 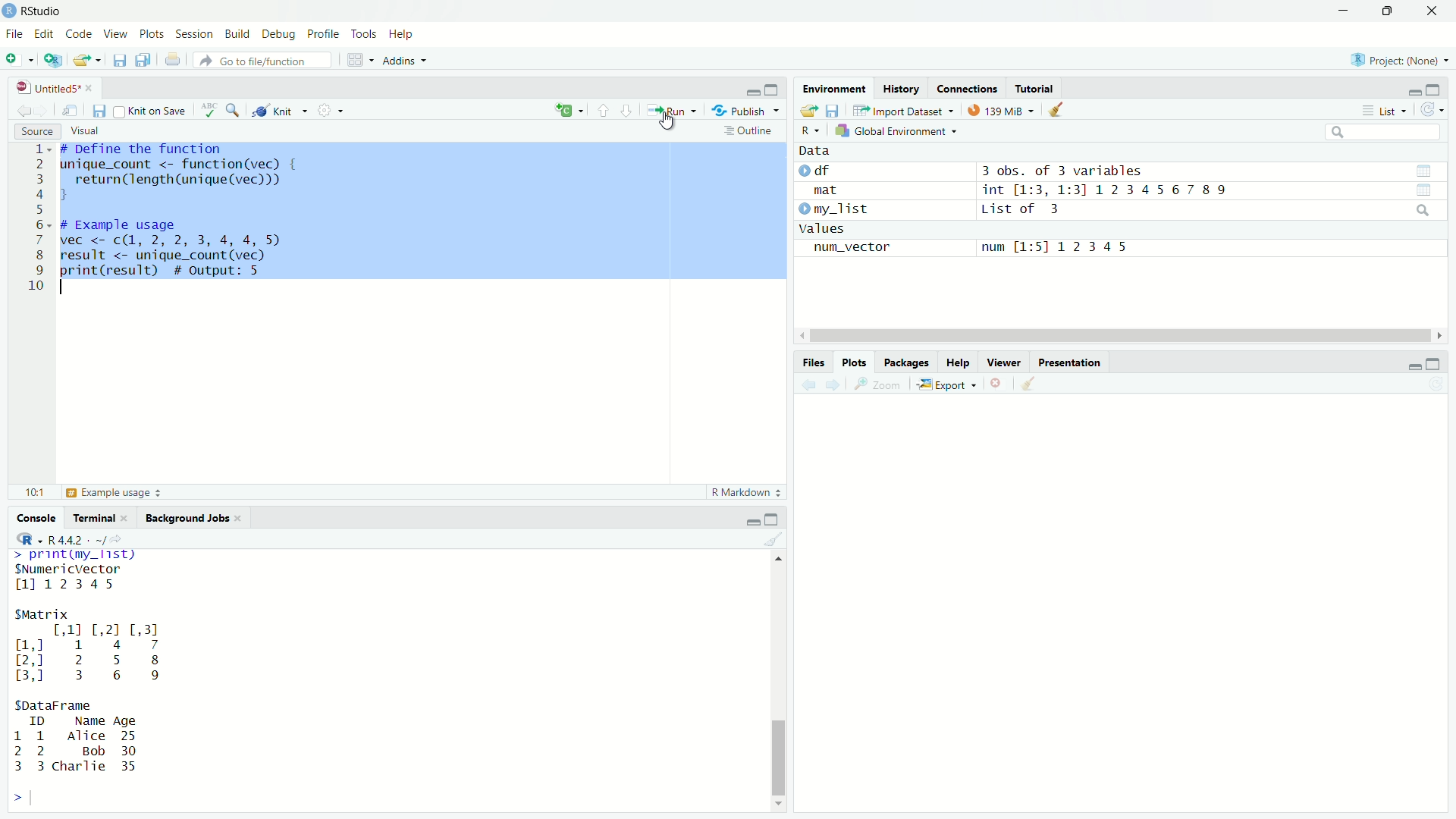 I want to click on close app, so click(x=1433, y=12).